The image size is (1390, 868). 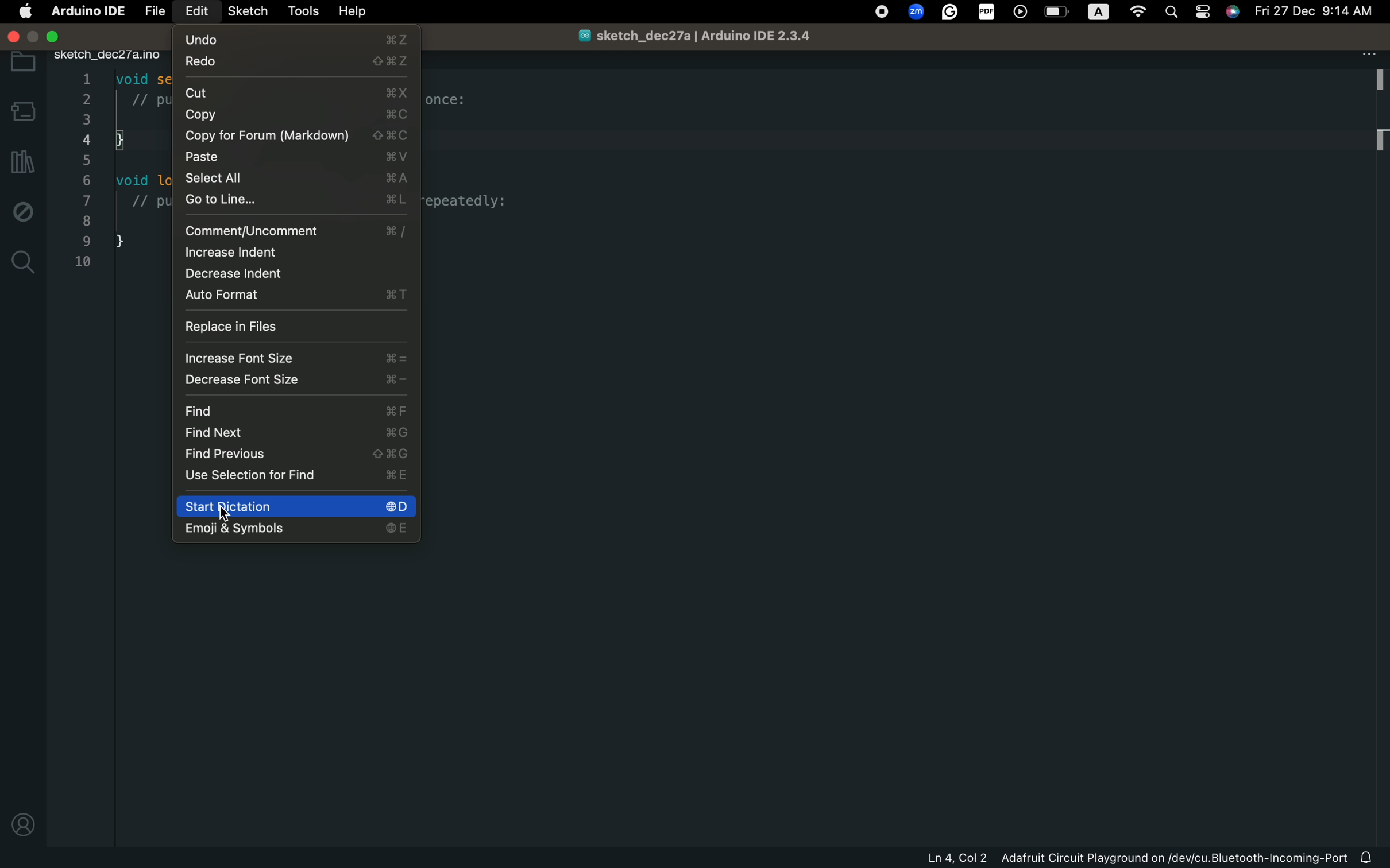 What do you see at coordinates (294, 360) in the screenshot?
I see `increase font size` at bounding box center [294, 360].